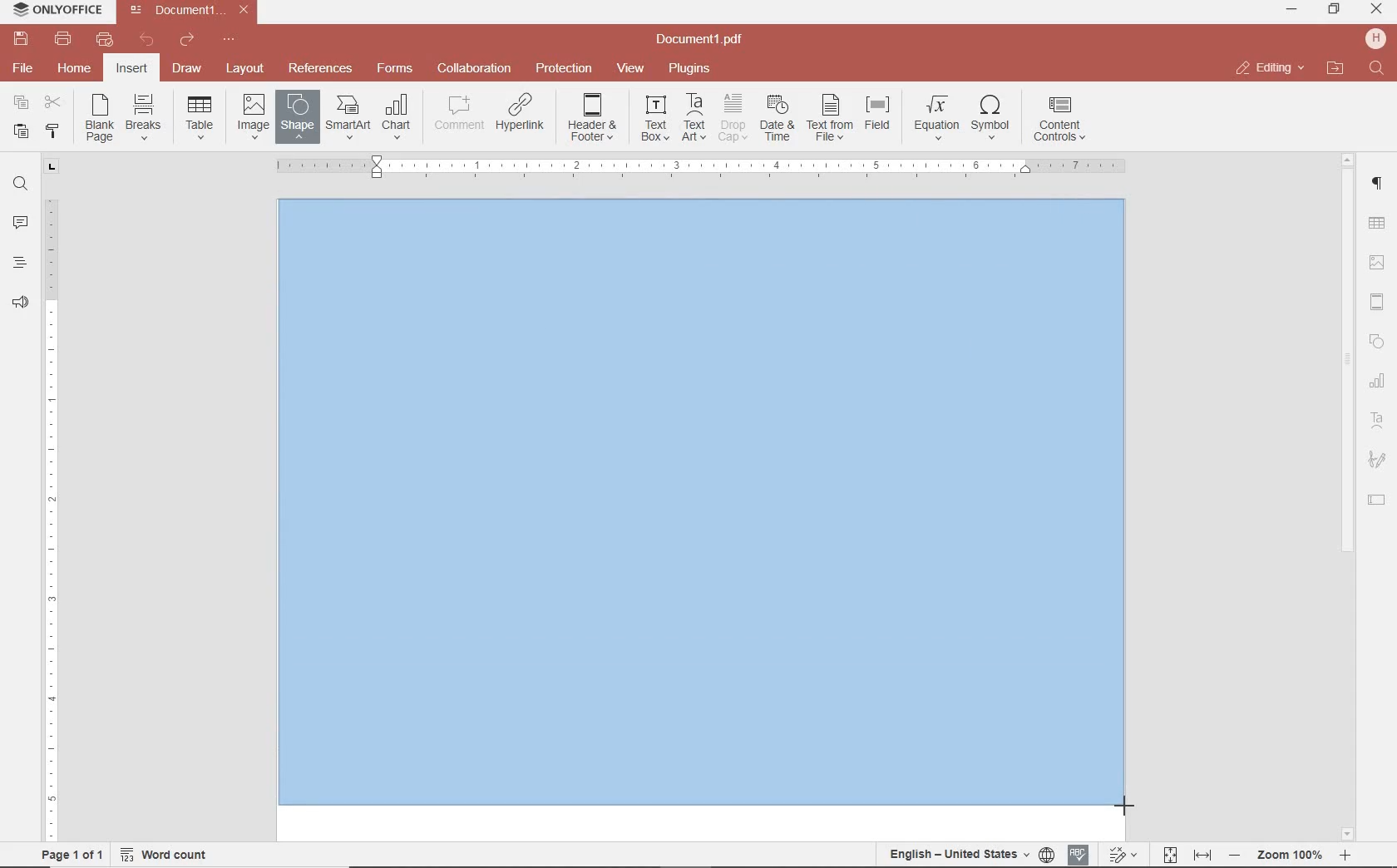 This screenshot has width=1397, height=868. Describe the element at coordinates (702, 510) in the screenshot. I see `` at that location.